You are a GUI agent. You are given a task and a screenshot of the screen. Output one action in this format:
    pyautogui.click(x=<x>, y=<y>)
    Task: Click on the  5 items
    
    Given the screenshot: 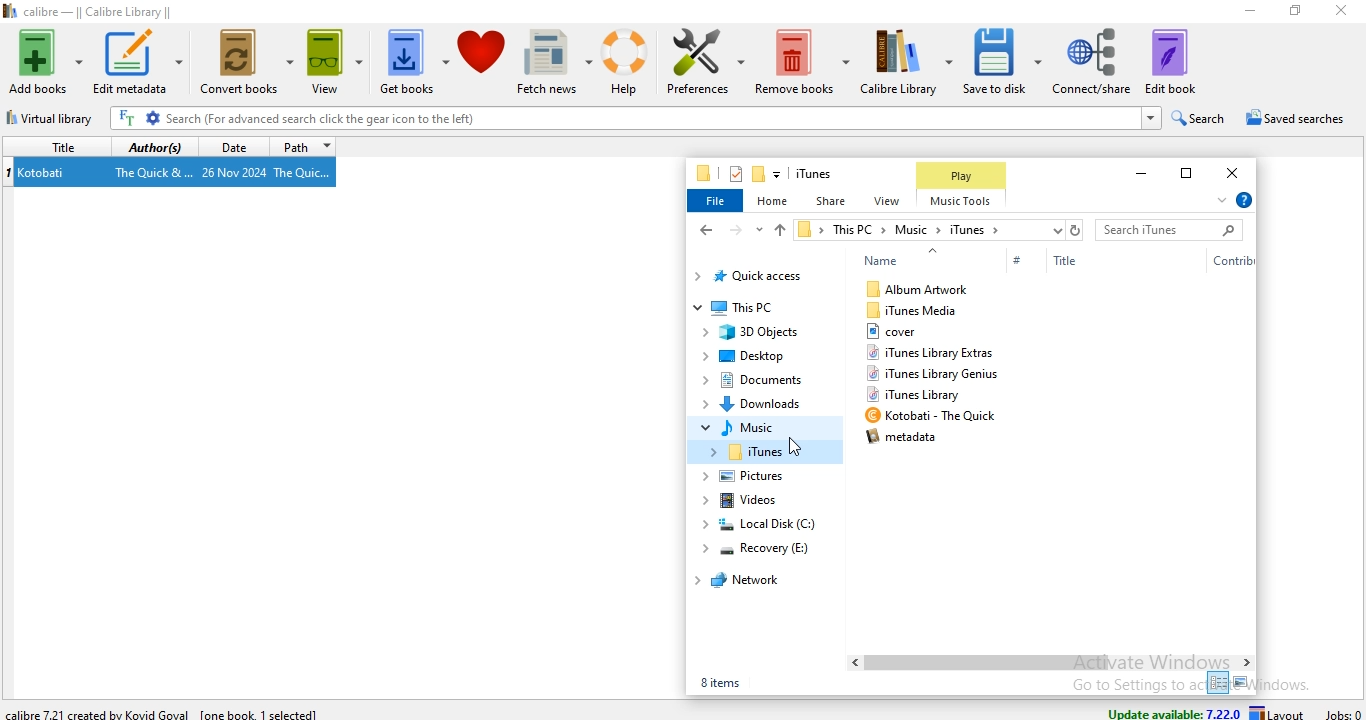 What is the action you would take?
    pyautogui.click(x=718, y=682)
    